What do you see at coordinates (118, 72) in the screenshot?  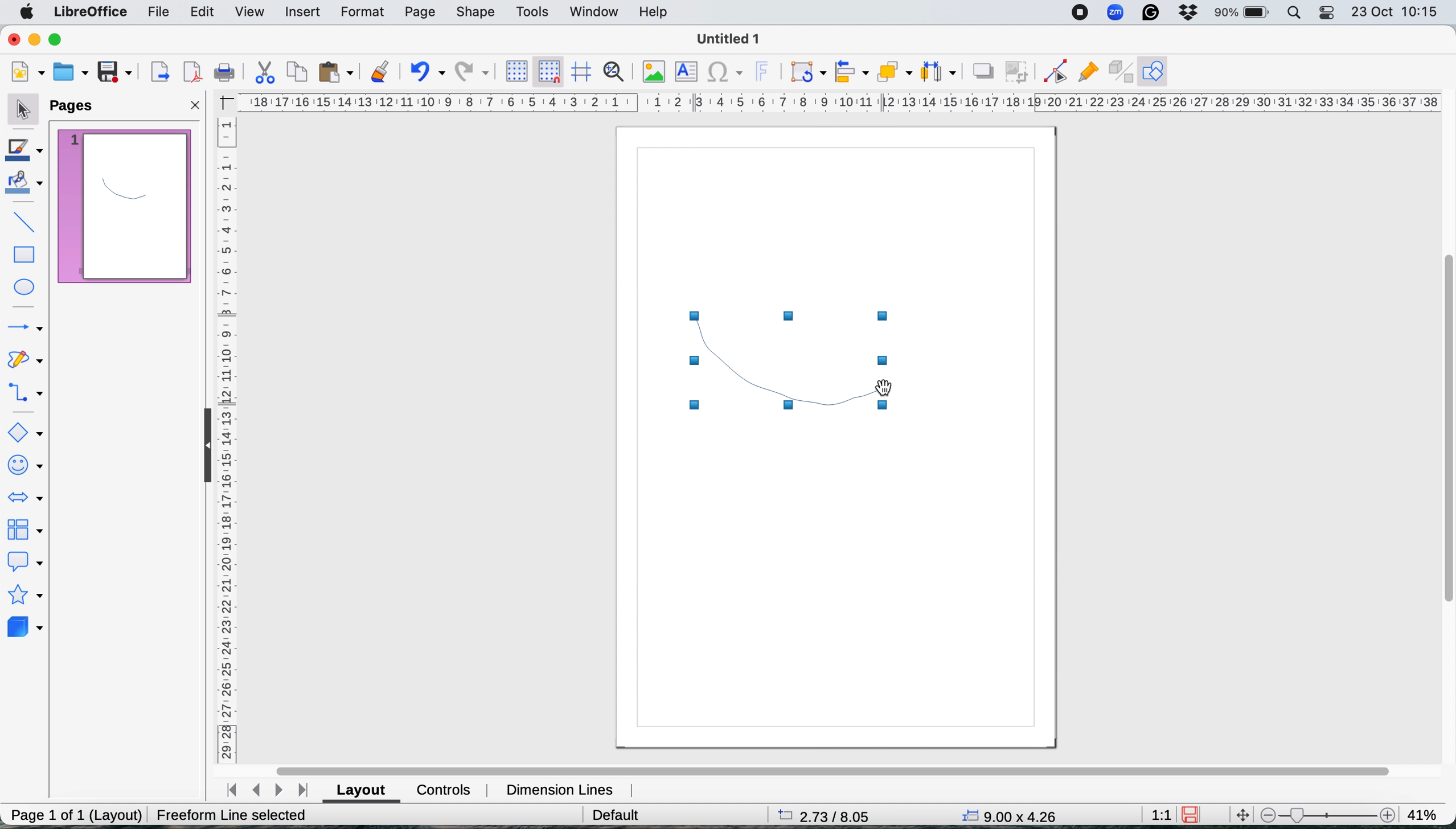 I see `save` at bounding box center [118, 72].